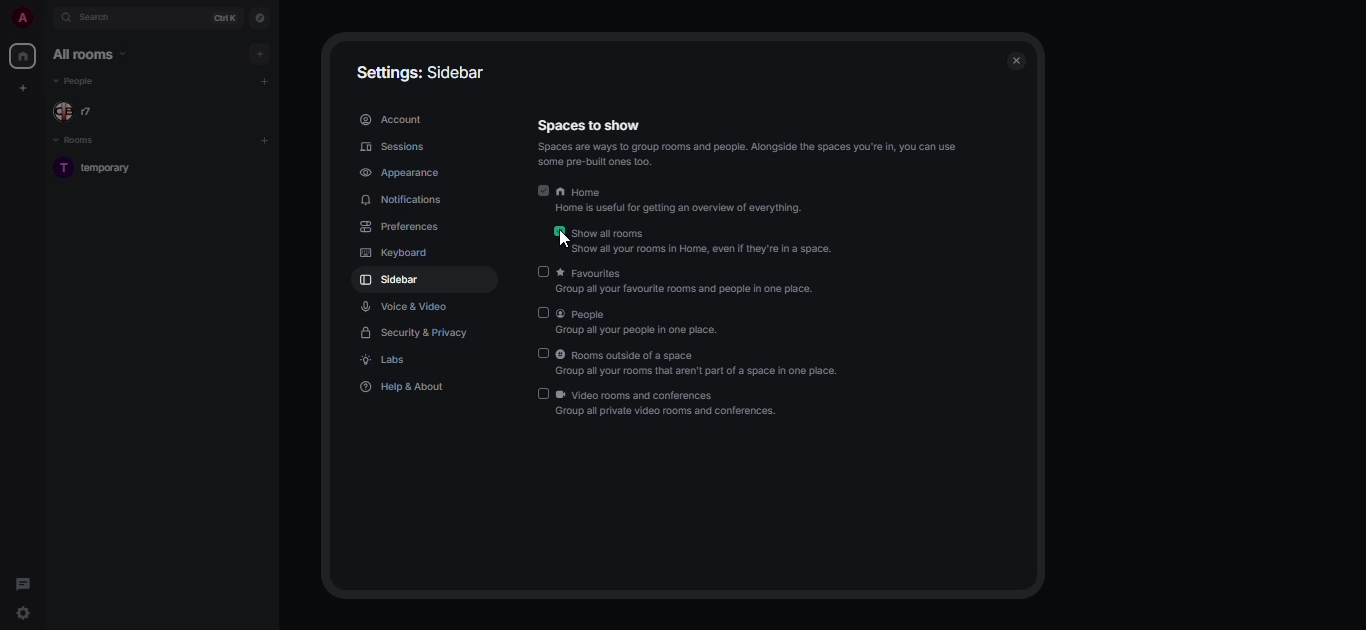 Image resolution: width=1366 pixels, height=630 pixels. I want to click on enabled, so click(559, 231).